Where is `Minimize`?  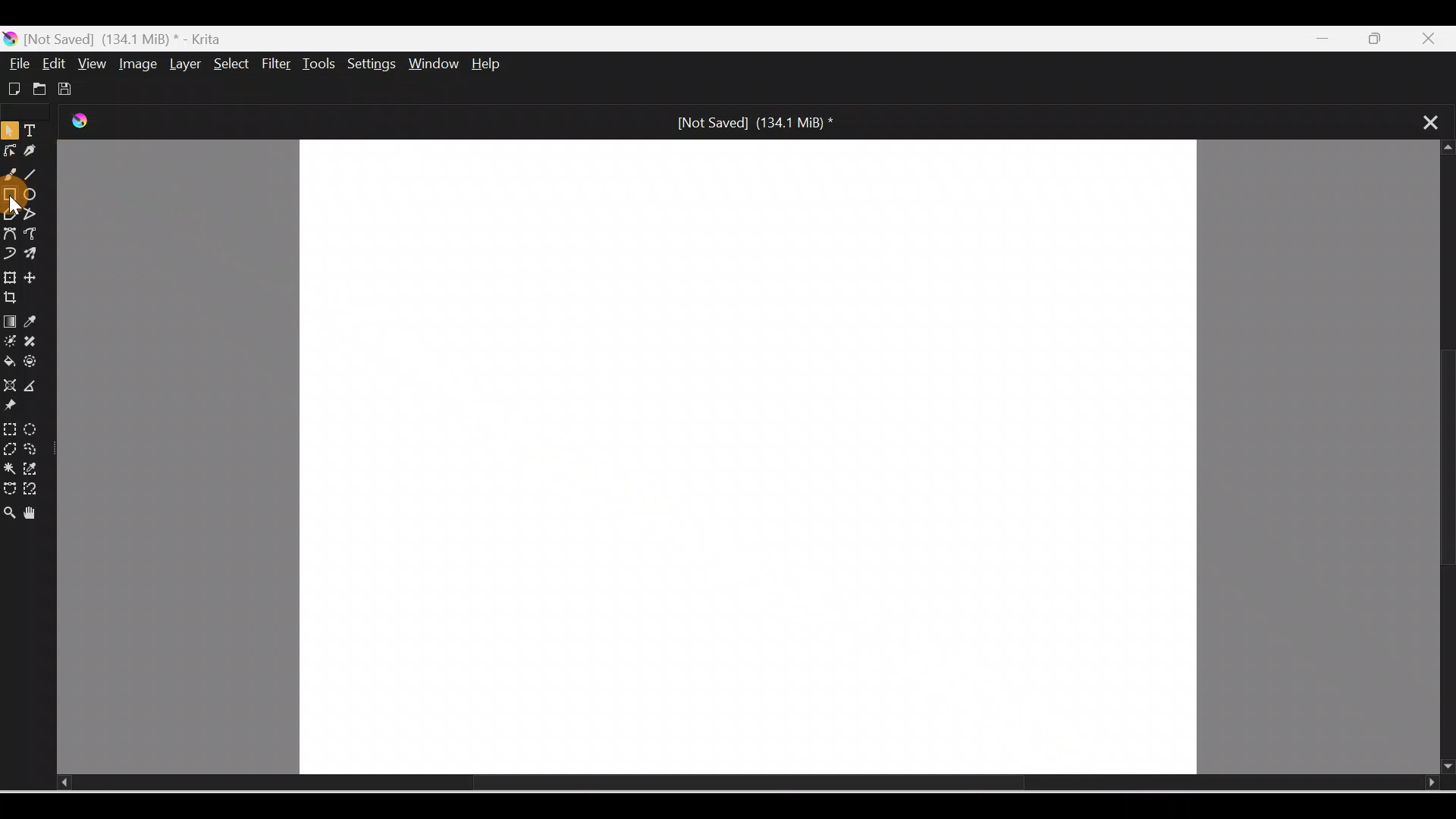 Minimize is located at coordinates (1326, 39).